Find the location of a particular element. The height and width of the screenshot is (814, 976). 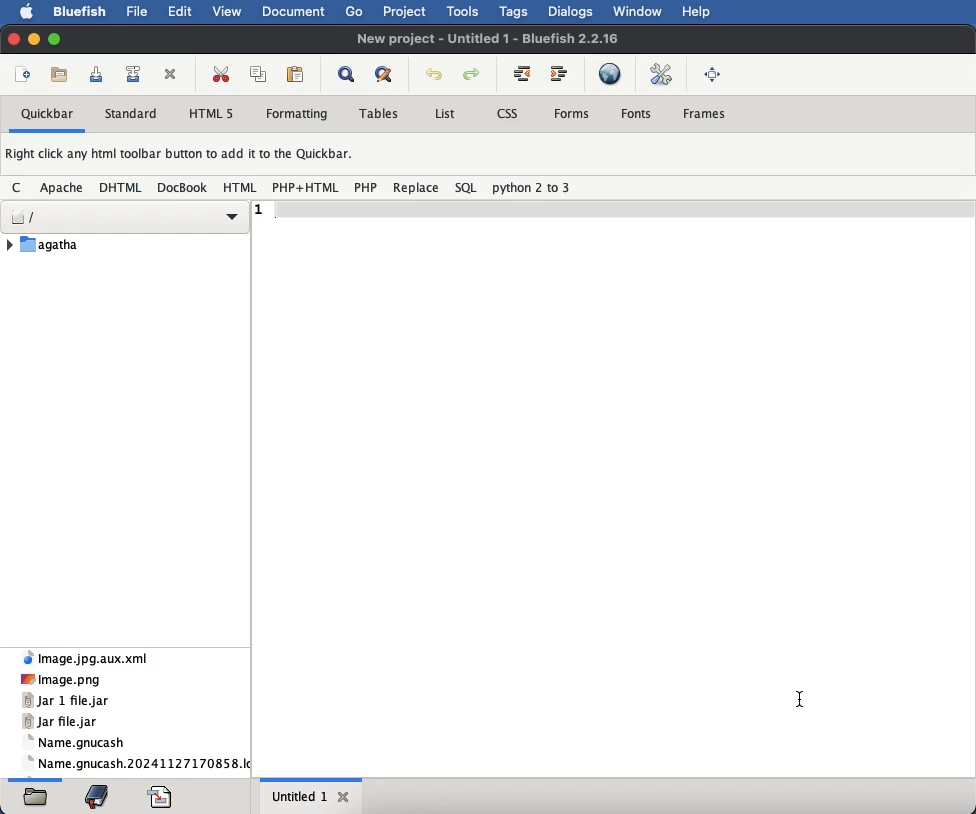

minimize is located at coordinates (35, 39).